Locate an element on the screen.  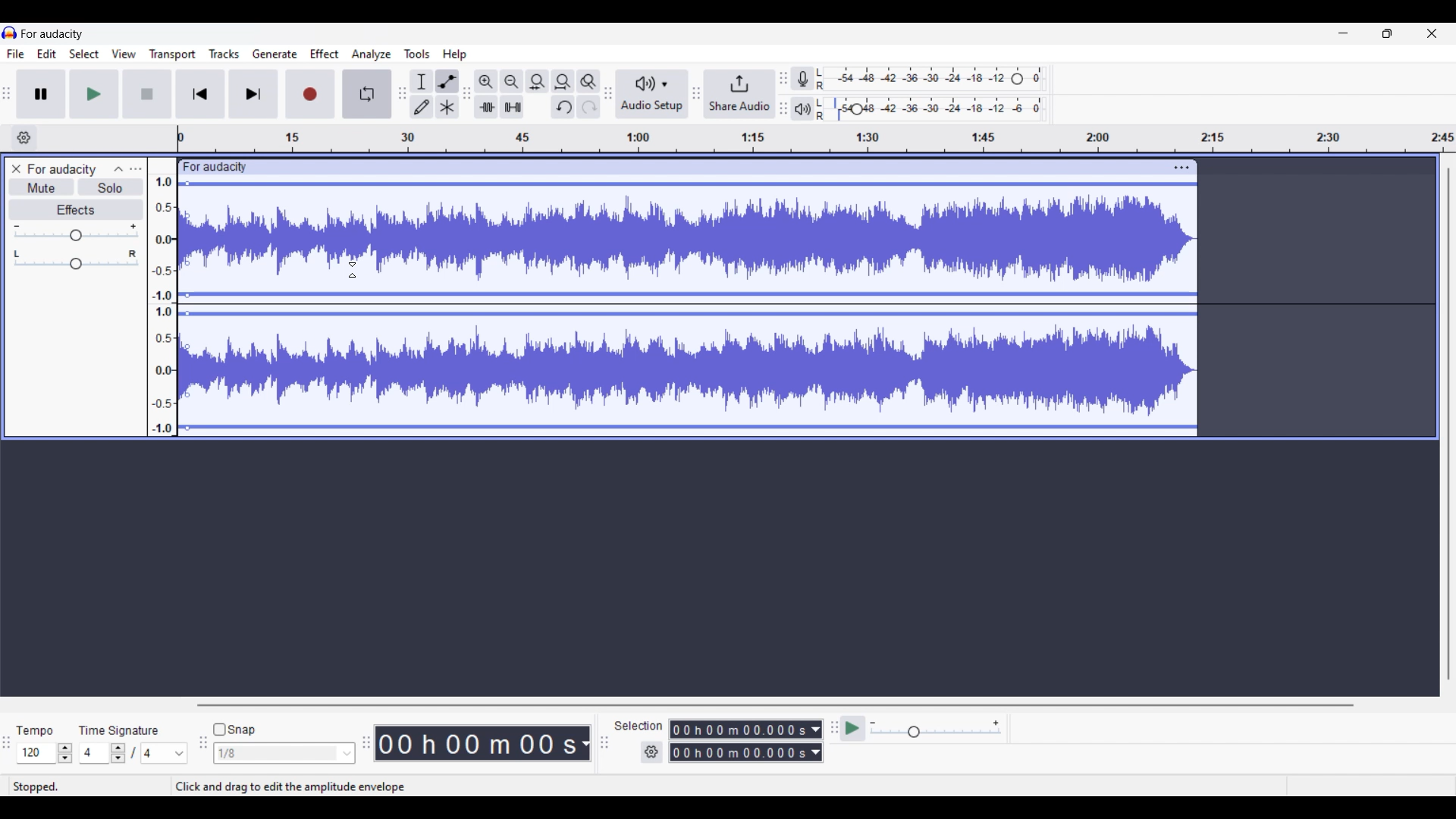
Track settings is located at coordinates (1182, 168).